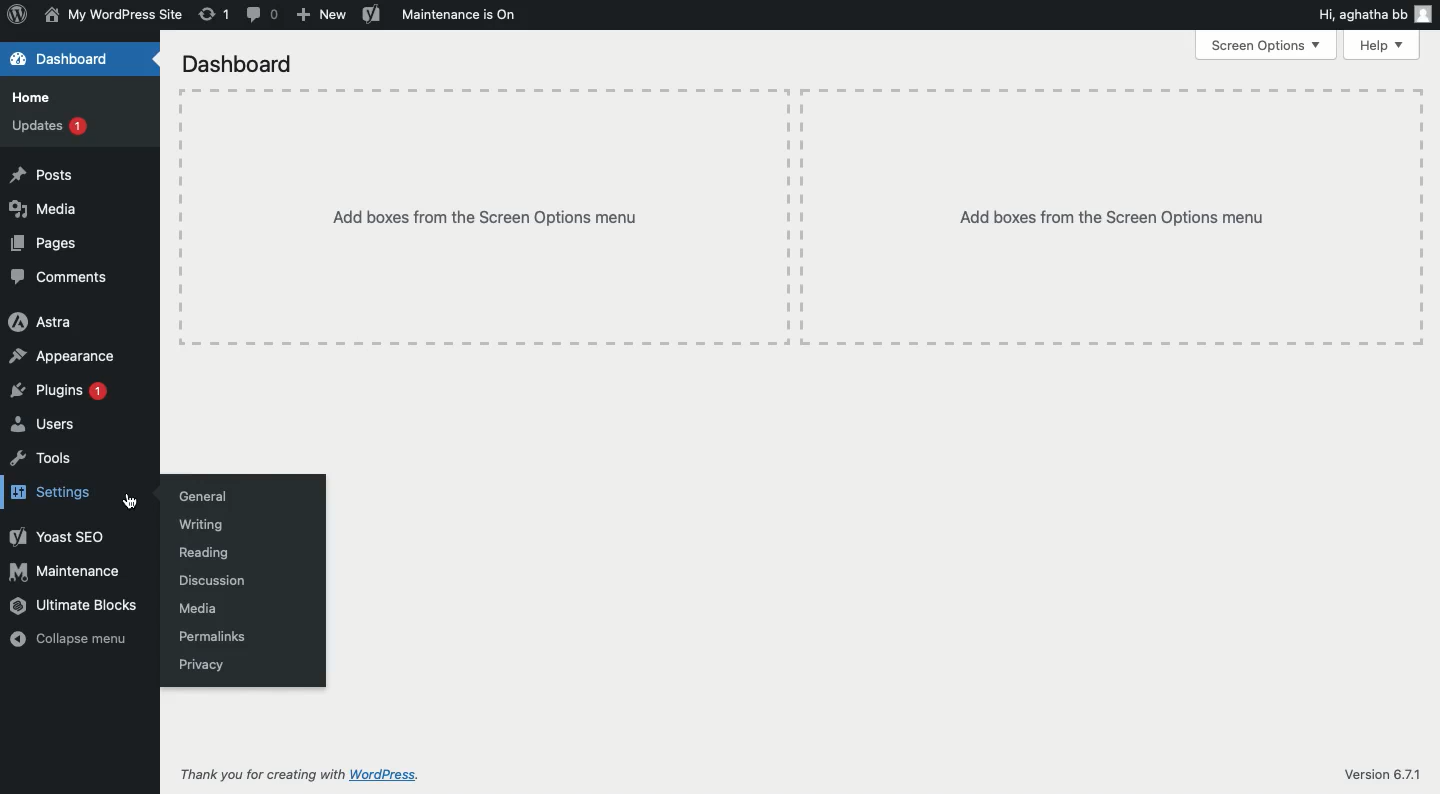  What do you see at coordinates (57, 538) in the screenshot?
I see `Yoast` at bounding box center [57, 538].